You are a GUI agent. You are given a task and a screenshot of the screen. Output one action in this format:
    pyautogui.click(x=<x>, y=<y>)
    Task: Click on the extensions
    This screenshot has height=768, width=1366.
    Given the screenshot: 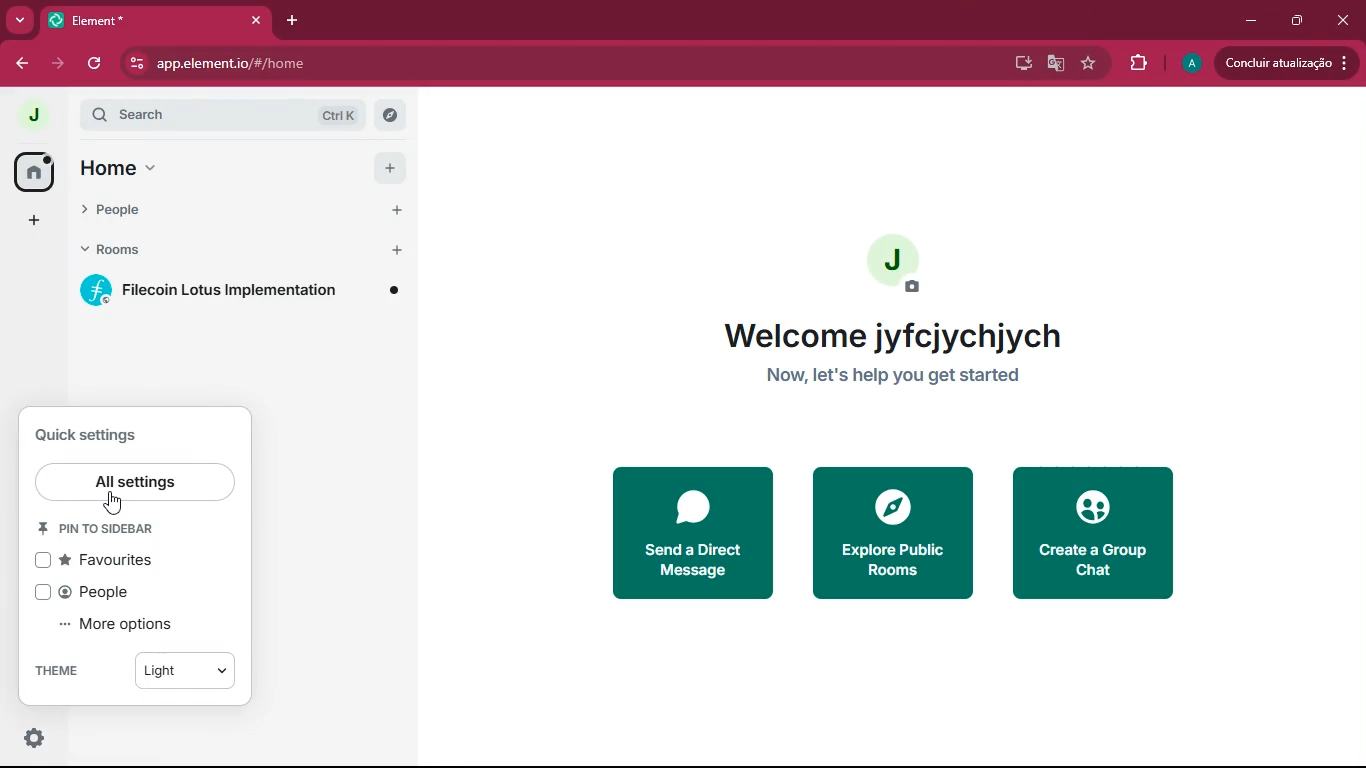 What is the action you would take?
    pyautogui.click(x=1136, y=65)
    